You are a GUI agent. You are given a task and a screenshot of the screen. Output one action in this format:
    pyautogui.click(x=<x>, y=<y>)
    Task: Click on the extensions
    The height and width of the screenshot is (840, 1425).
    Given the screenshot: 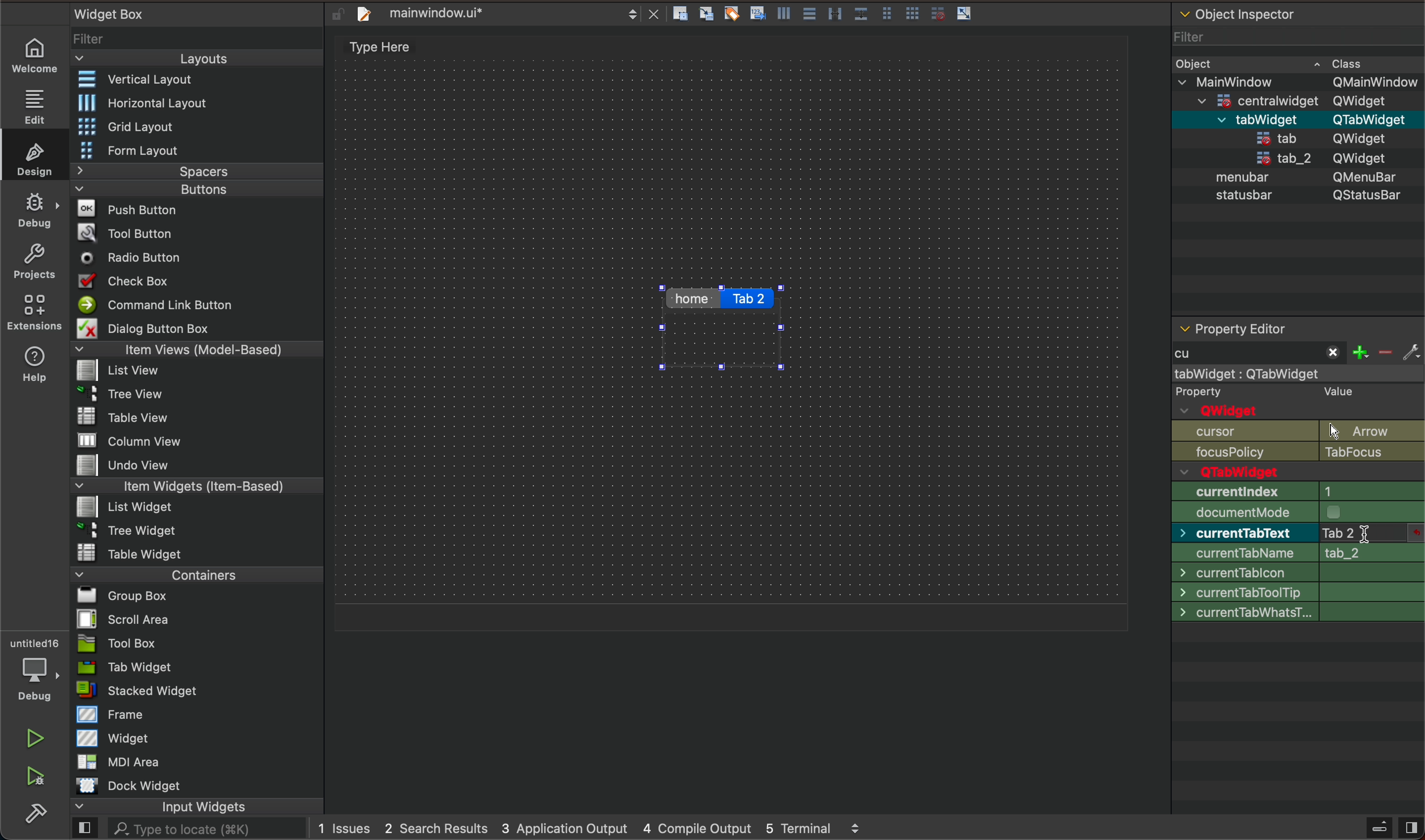 What is the action you would take?
    pyautogui.click(x=37, y=310)
    